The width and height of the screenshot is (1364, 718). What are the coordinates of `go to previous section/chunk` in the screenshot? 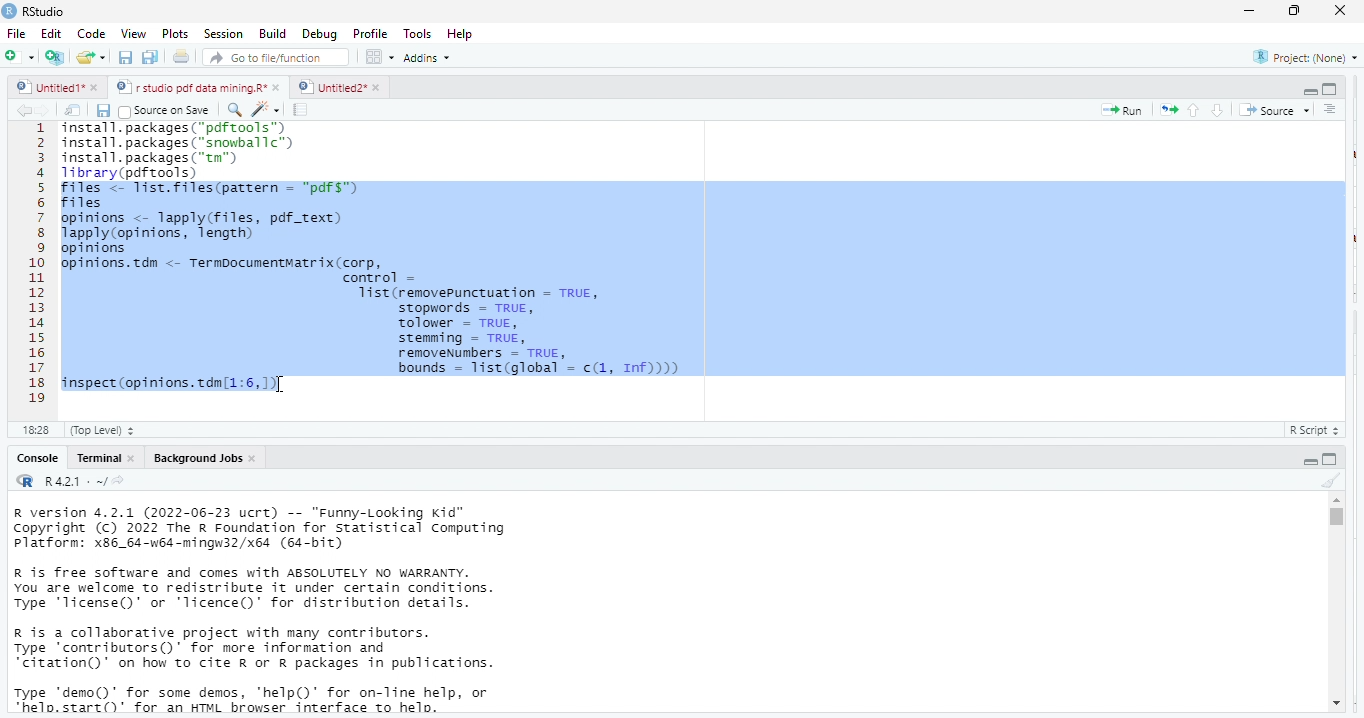 It's located at (1192, 110).